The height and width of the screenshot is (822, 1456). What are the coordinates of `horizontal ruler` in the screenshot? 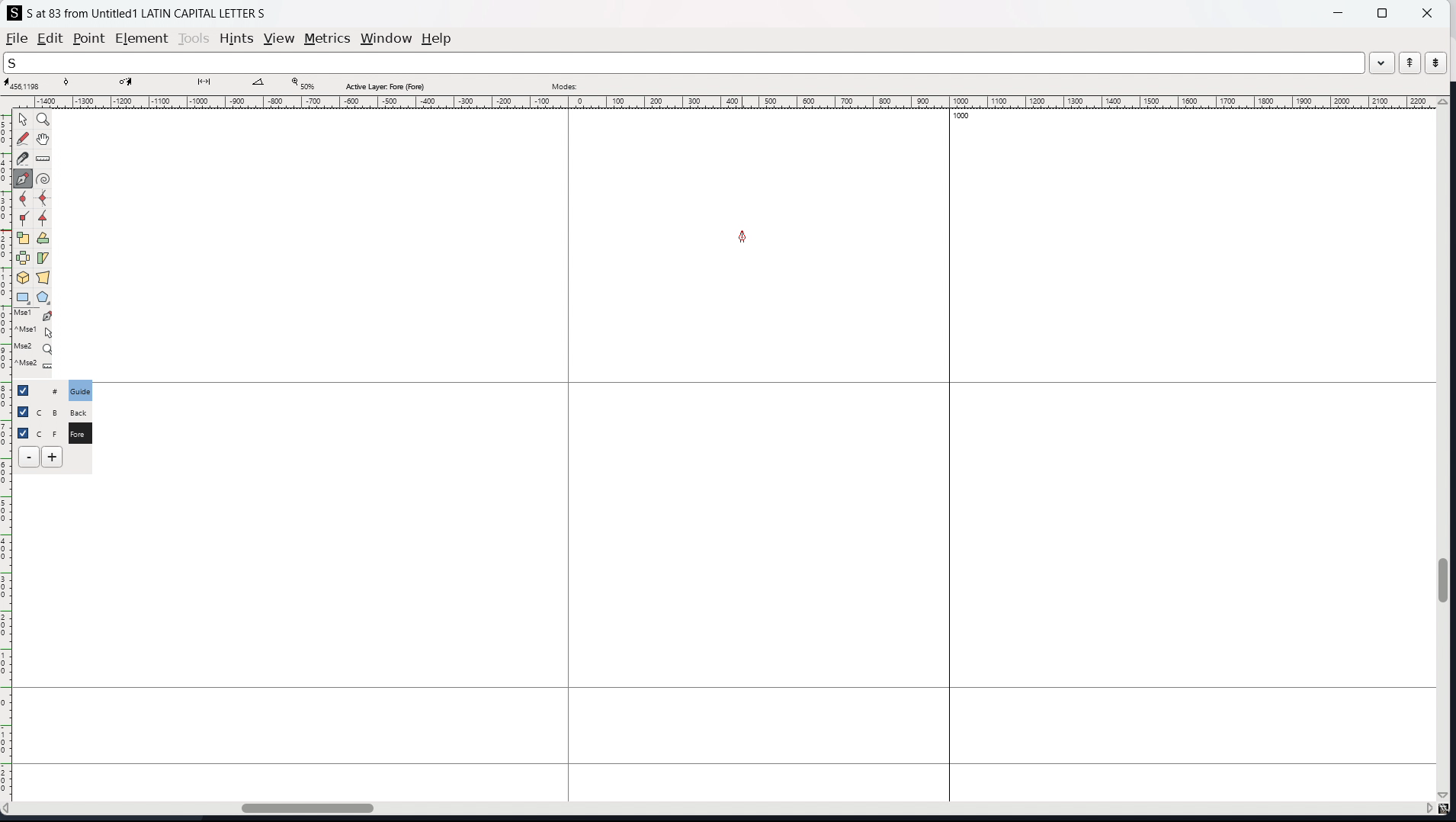 It's located at (720, 102).